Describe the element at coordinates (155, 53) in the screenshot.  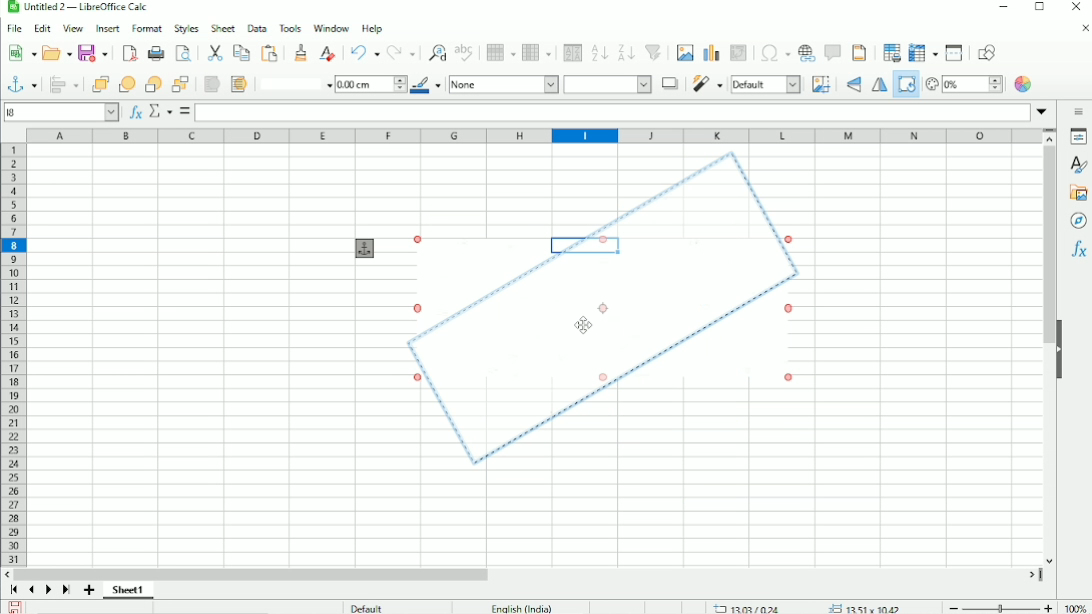
I see `Print` at that location.